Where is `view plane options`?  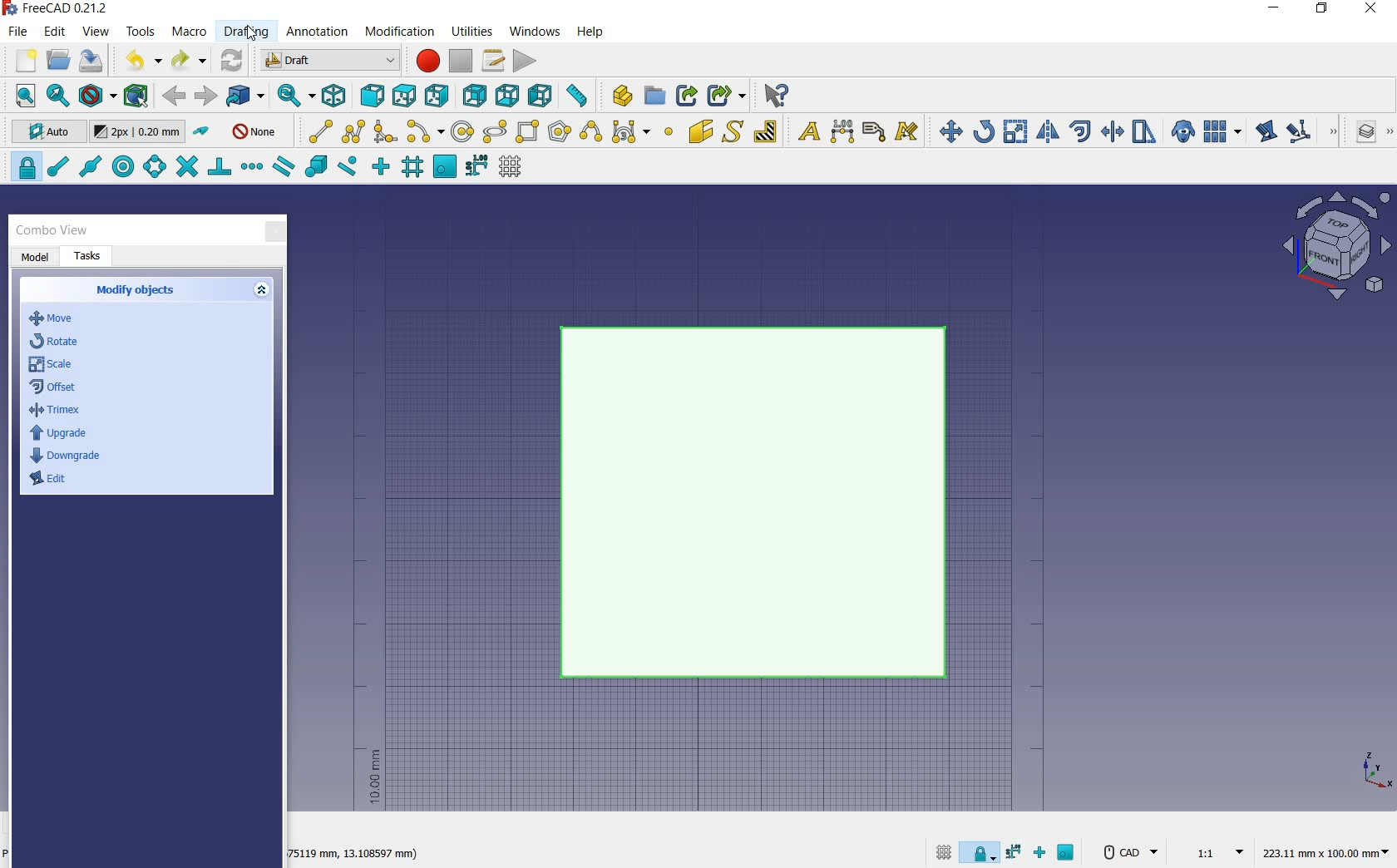 view plane options is located at coordinates (1337, 248).